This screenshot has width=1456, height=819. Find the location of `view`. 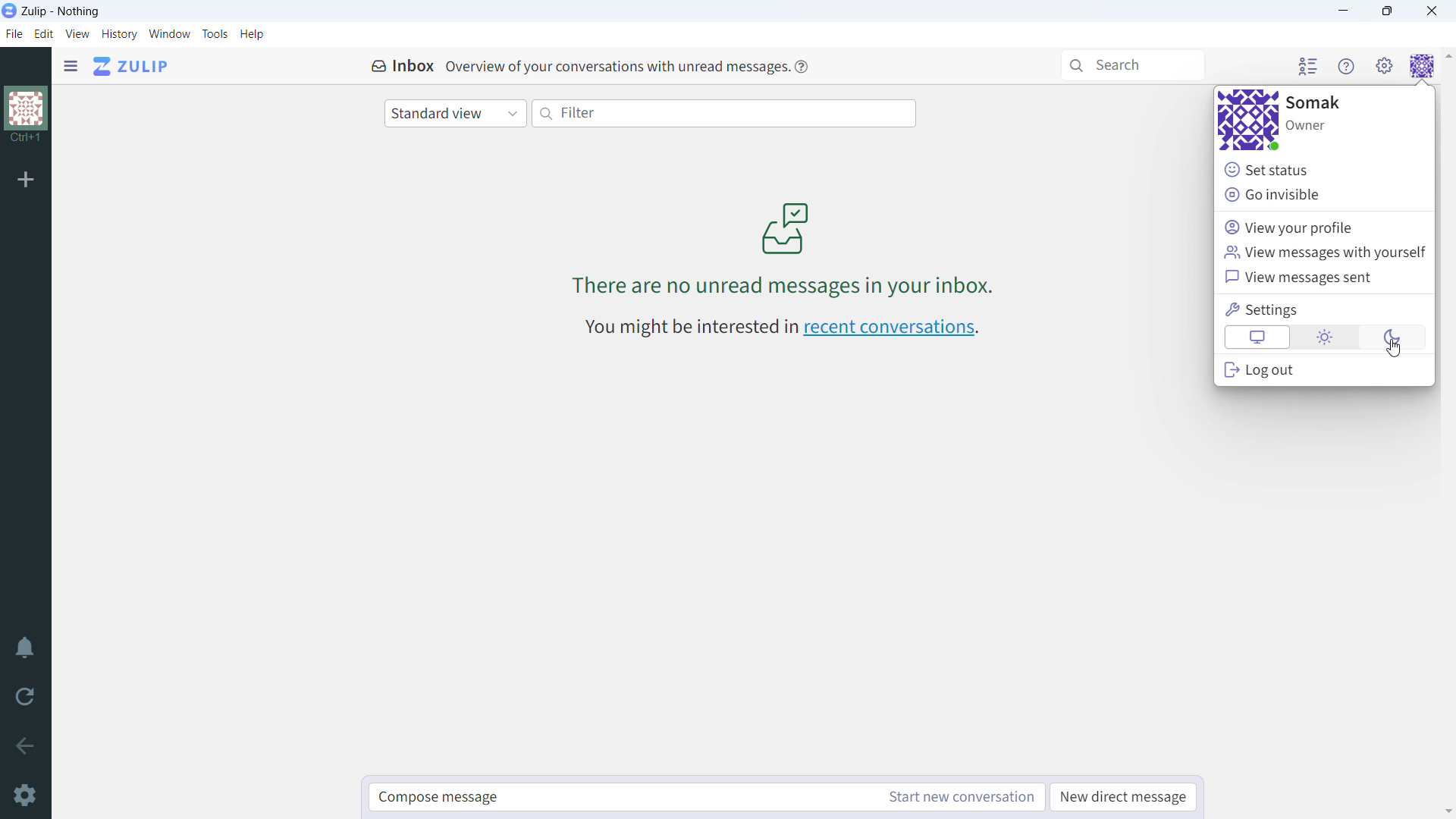

view is located at coordinates (79, 33).